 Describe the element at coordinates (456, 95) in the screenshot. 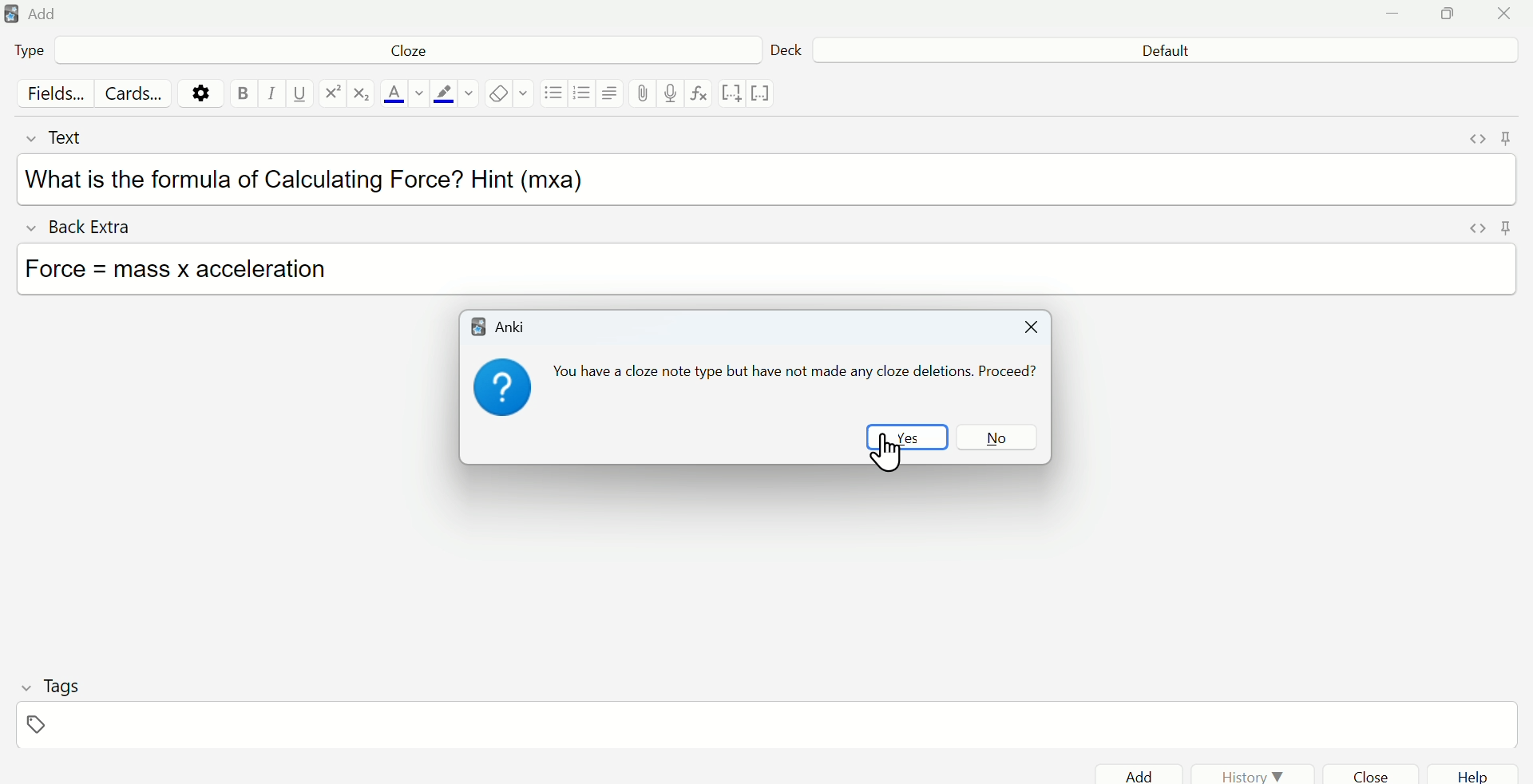

I see `Text highlight color` at that location.